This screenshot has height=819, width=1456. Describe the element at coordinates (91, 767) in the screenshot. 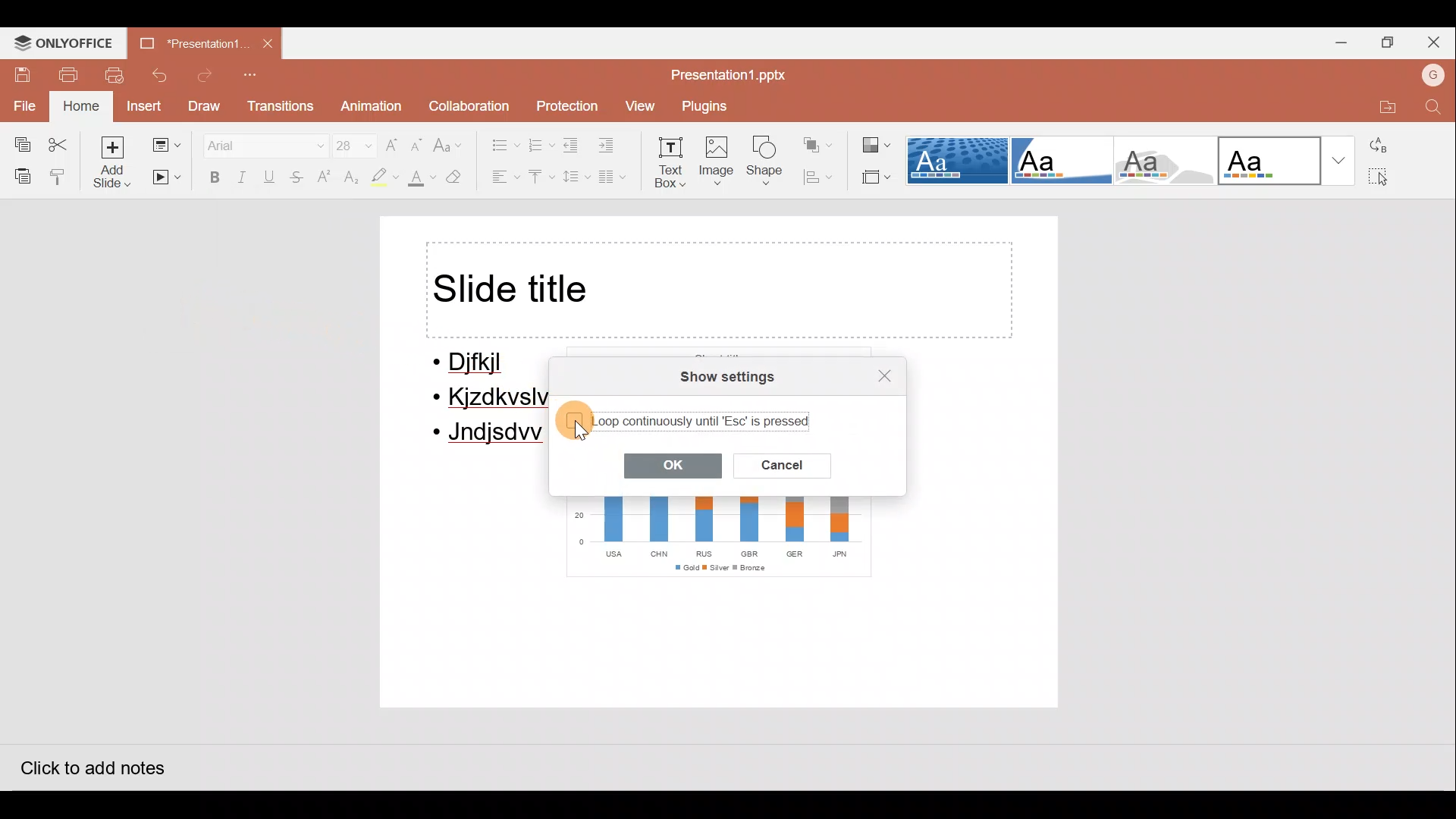

I see `Click to add notes` at that location.